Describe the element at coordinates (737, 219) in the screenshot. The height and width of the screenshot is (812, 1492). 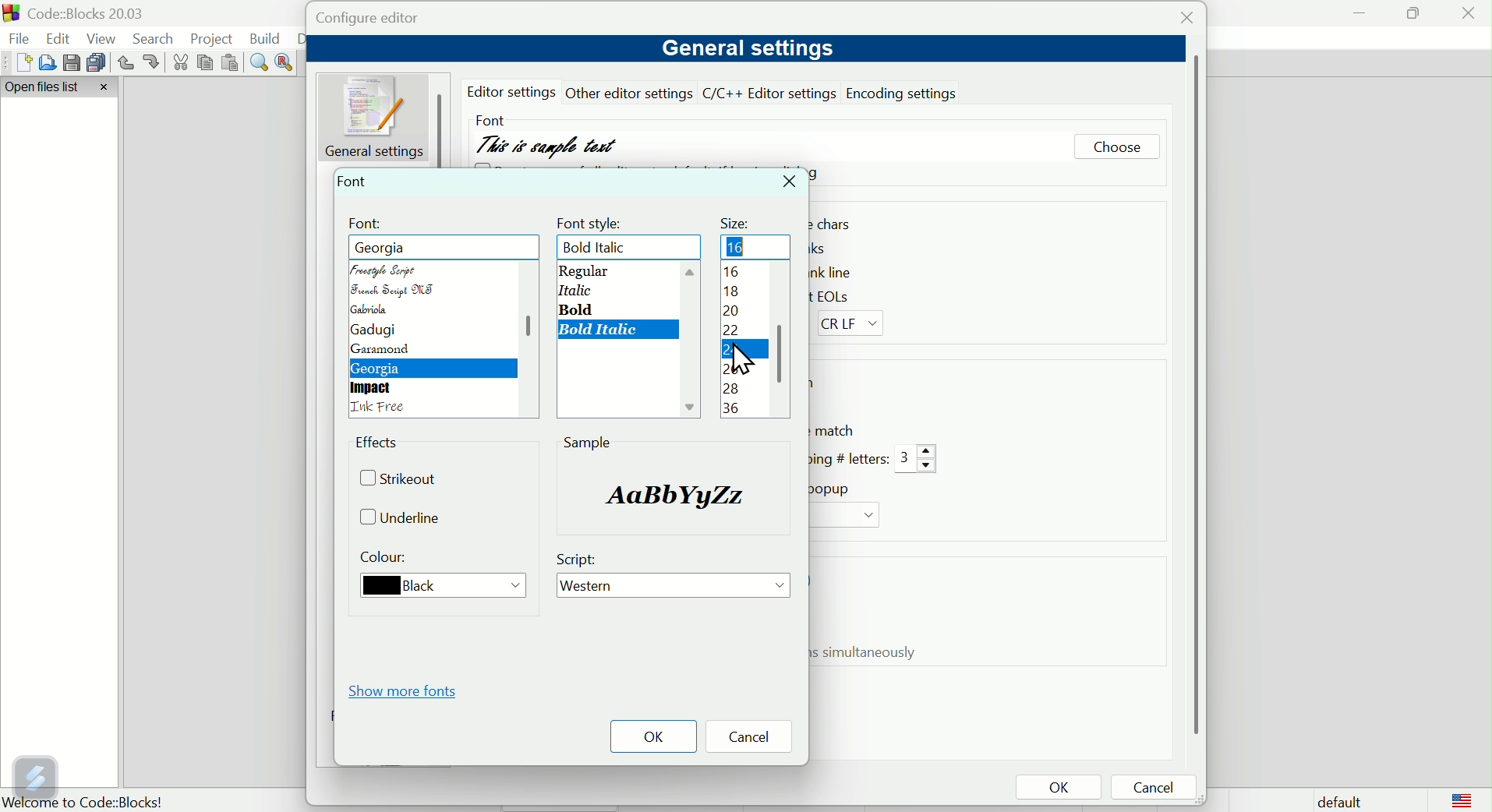
I see `Size` at that location.